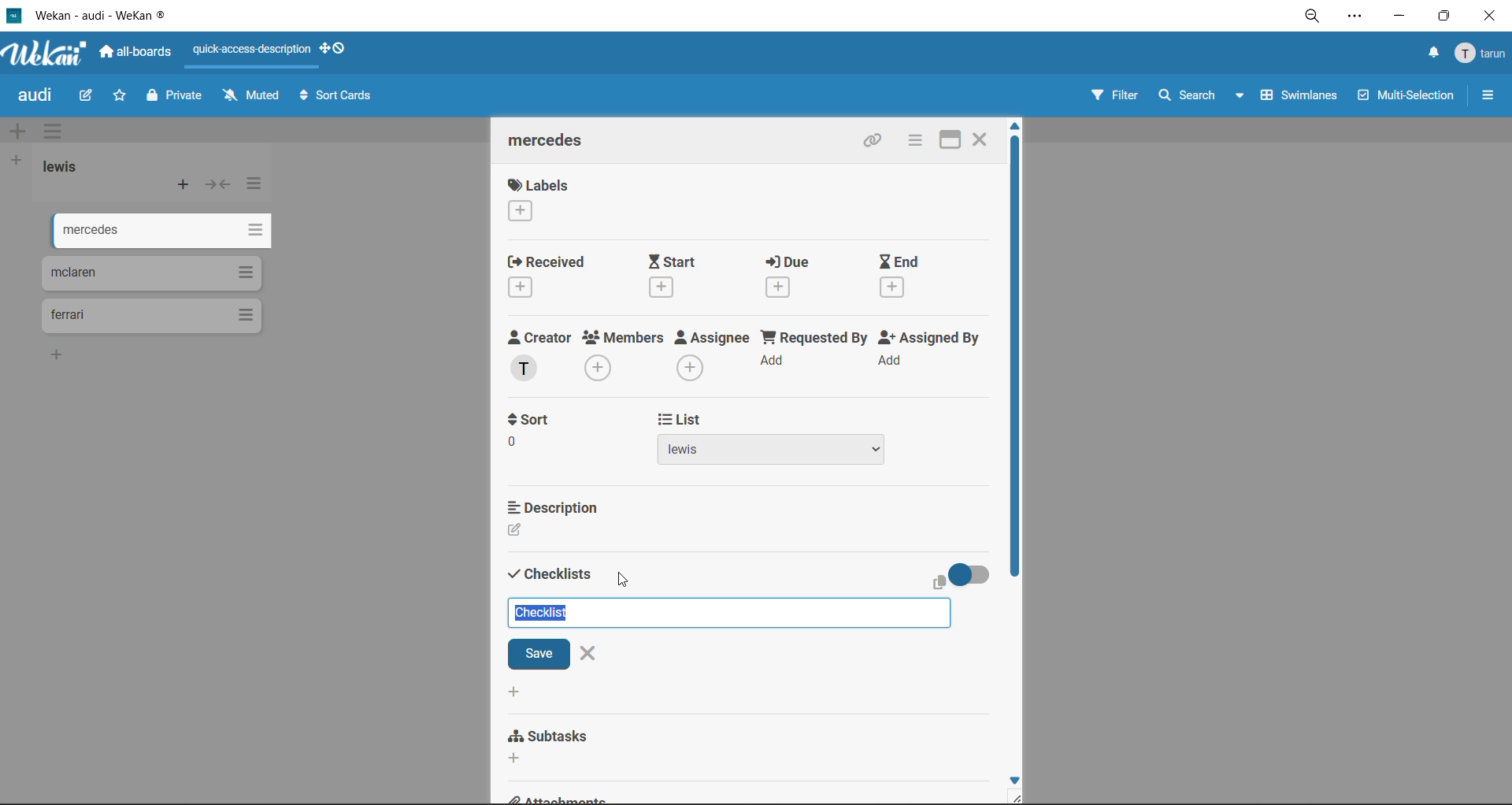 Image resolution: width=1512 pixels, height=805 pixels. Describe the element at coordinates (17, 132) in the screenshot. I see `add swimlane` at that location.